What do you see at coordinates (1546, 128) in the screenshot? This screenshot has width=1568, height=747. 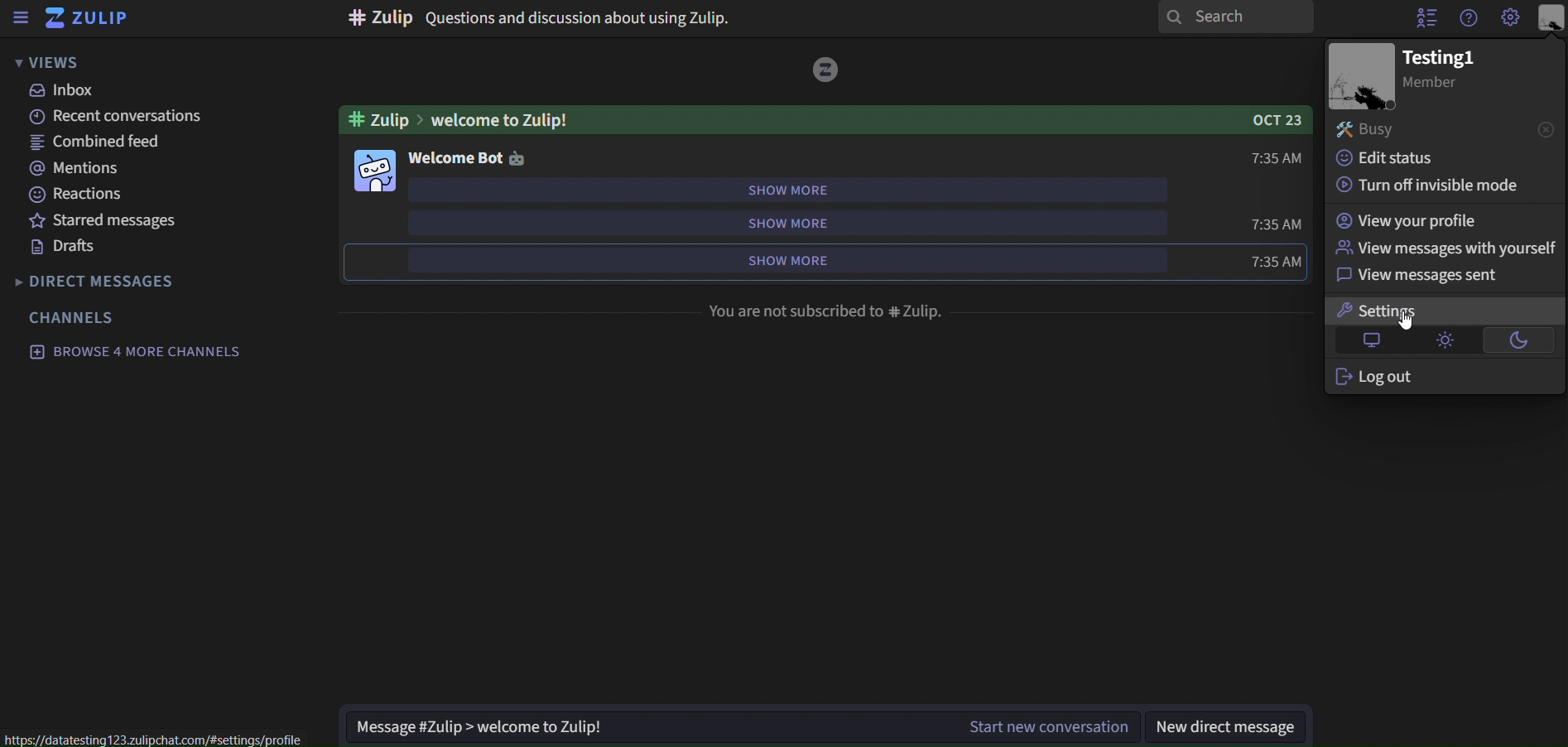 I see `close` at bounding box center [1546, 128].